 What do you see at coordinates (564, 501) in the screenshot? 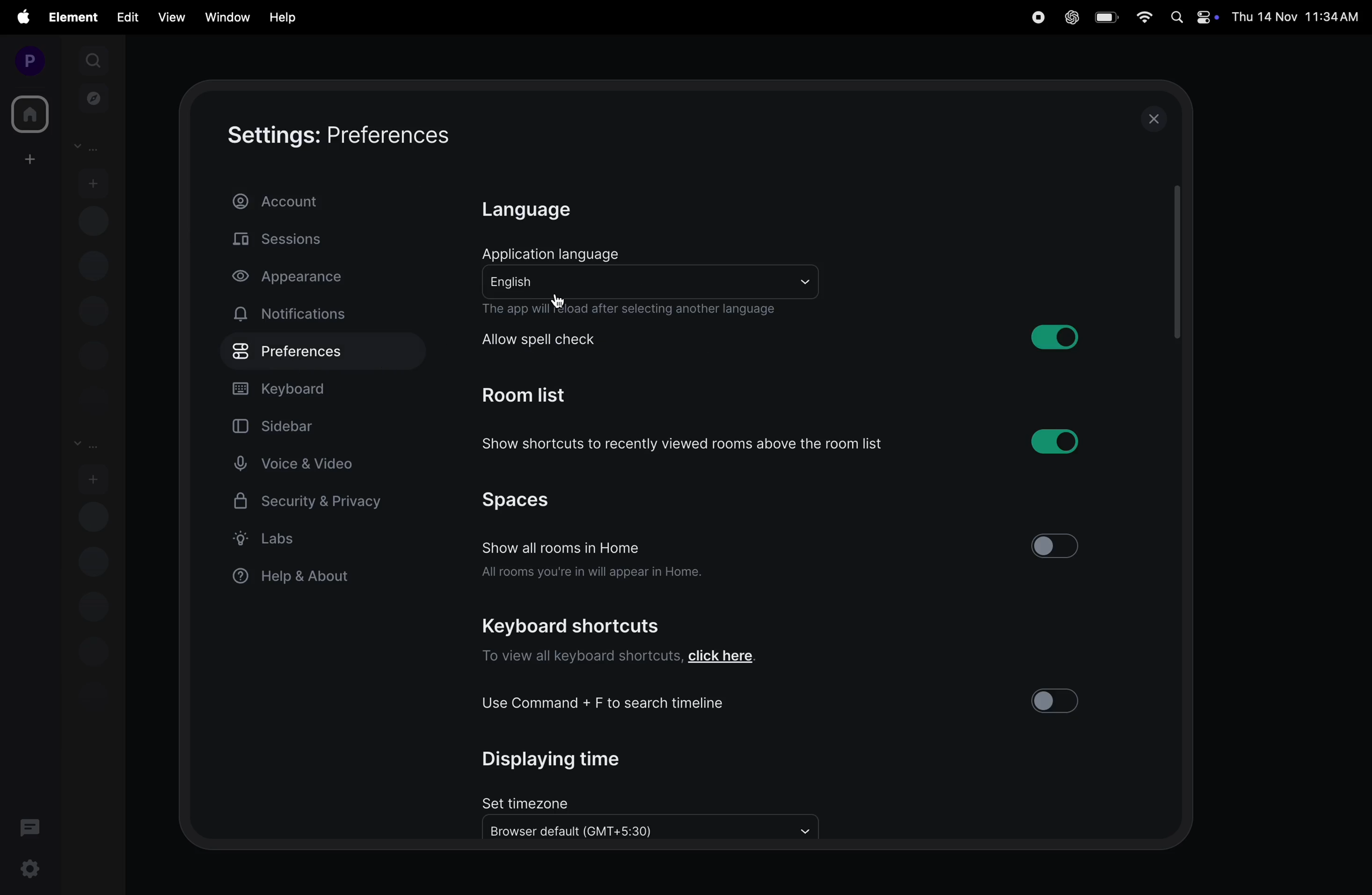
I see `spaces` at bounding box center [564, 501].